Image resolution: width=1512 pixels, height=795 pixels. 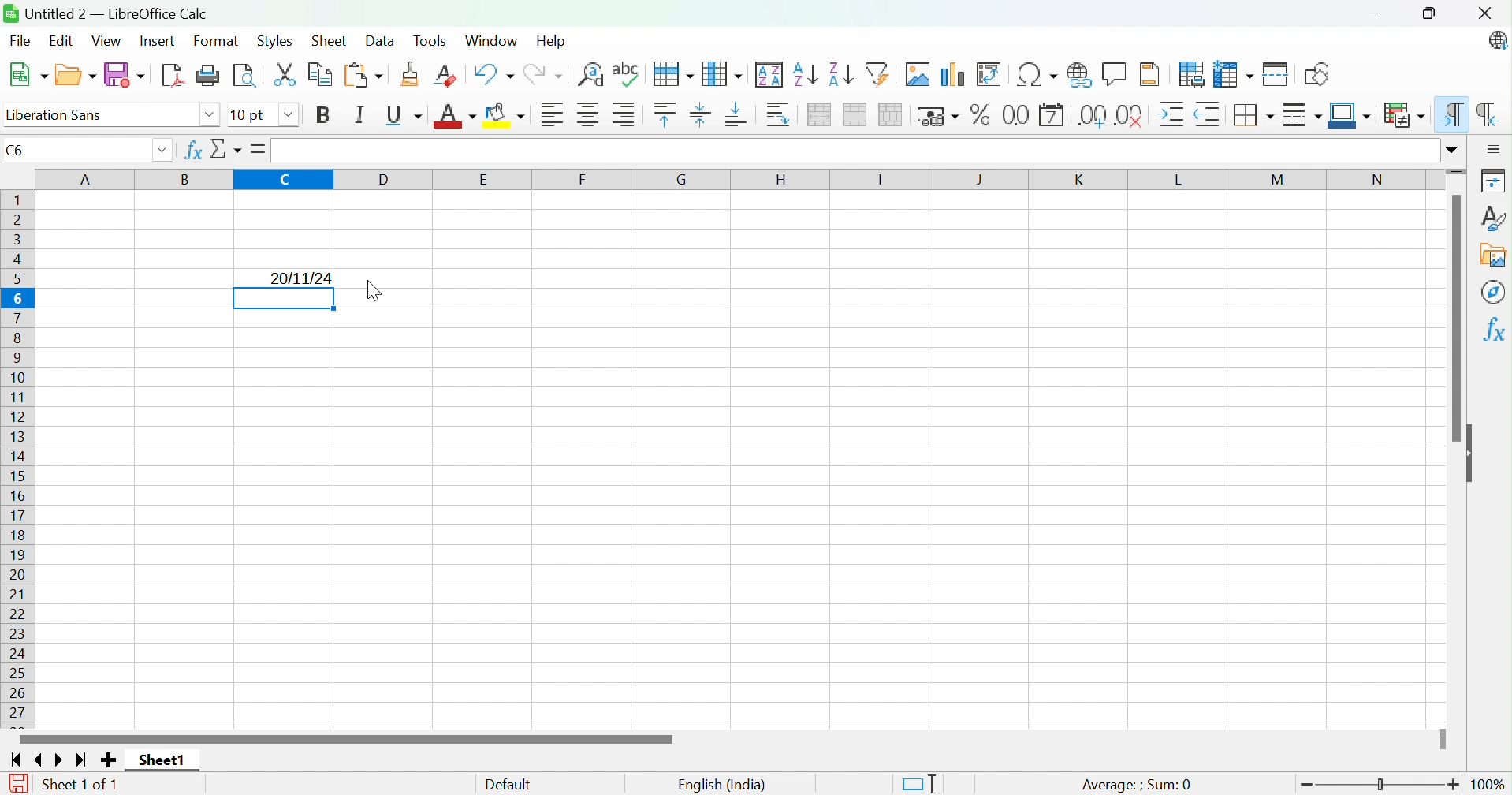 I want to click on Decrease indent, so click(x=1208, y=116).